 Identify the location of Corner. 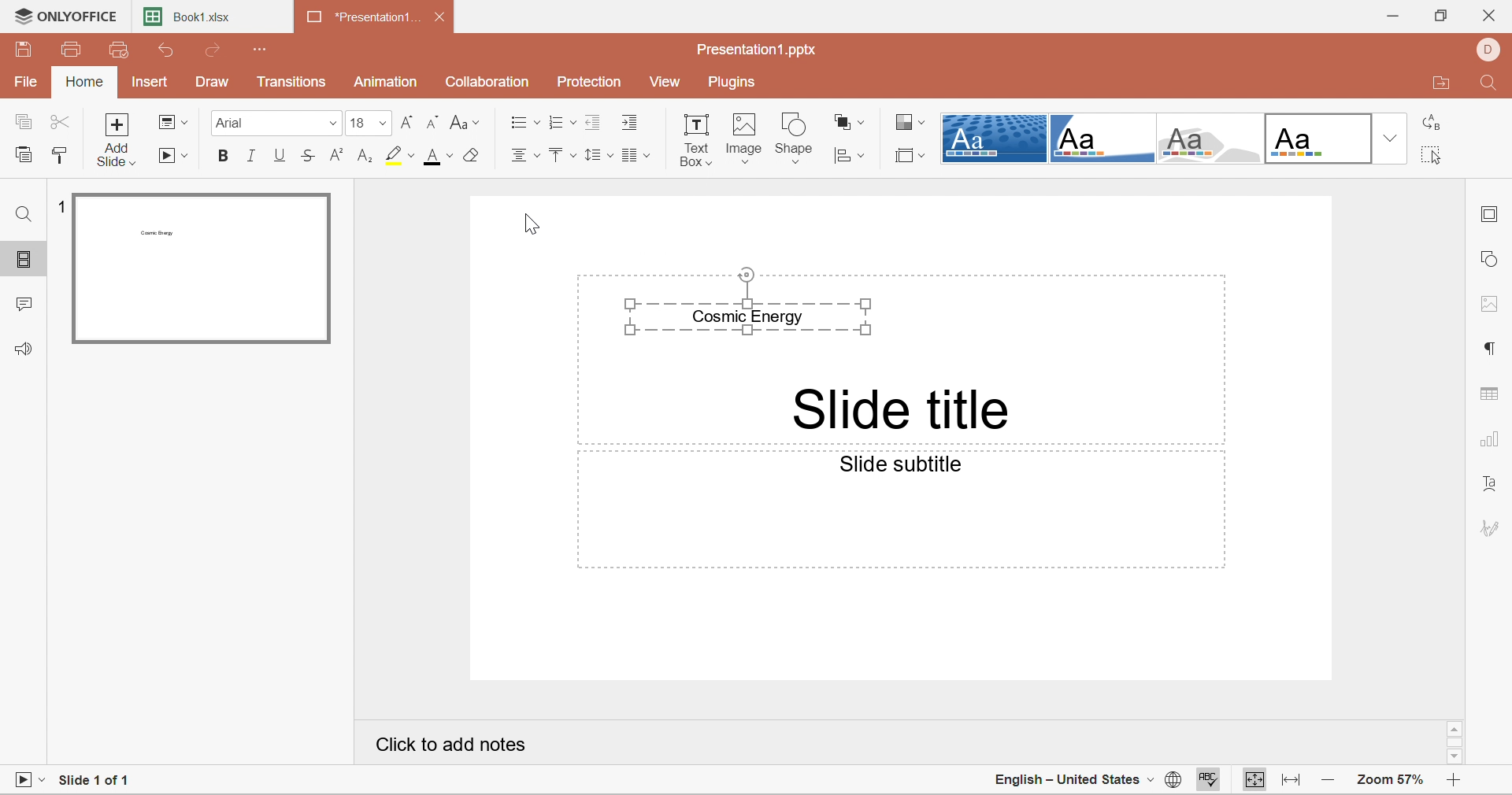
(1106, 140).